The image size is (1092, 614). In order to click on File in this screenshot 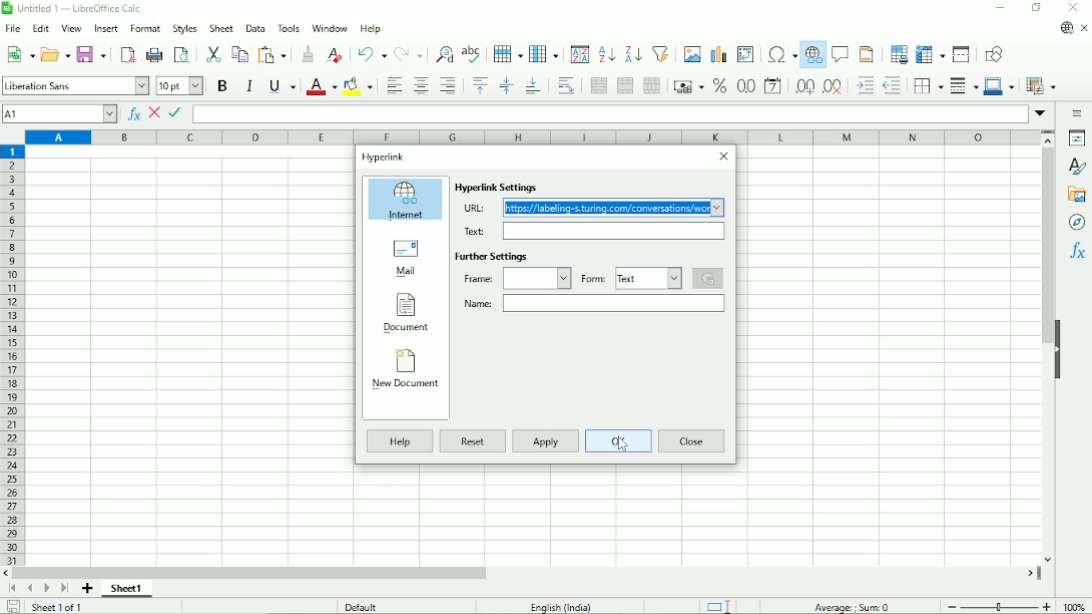, I will do `click(13, 29)`.